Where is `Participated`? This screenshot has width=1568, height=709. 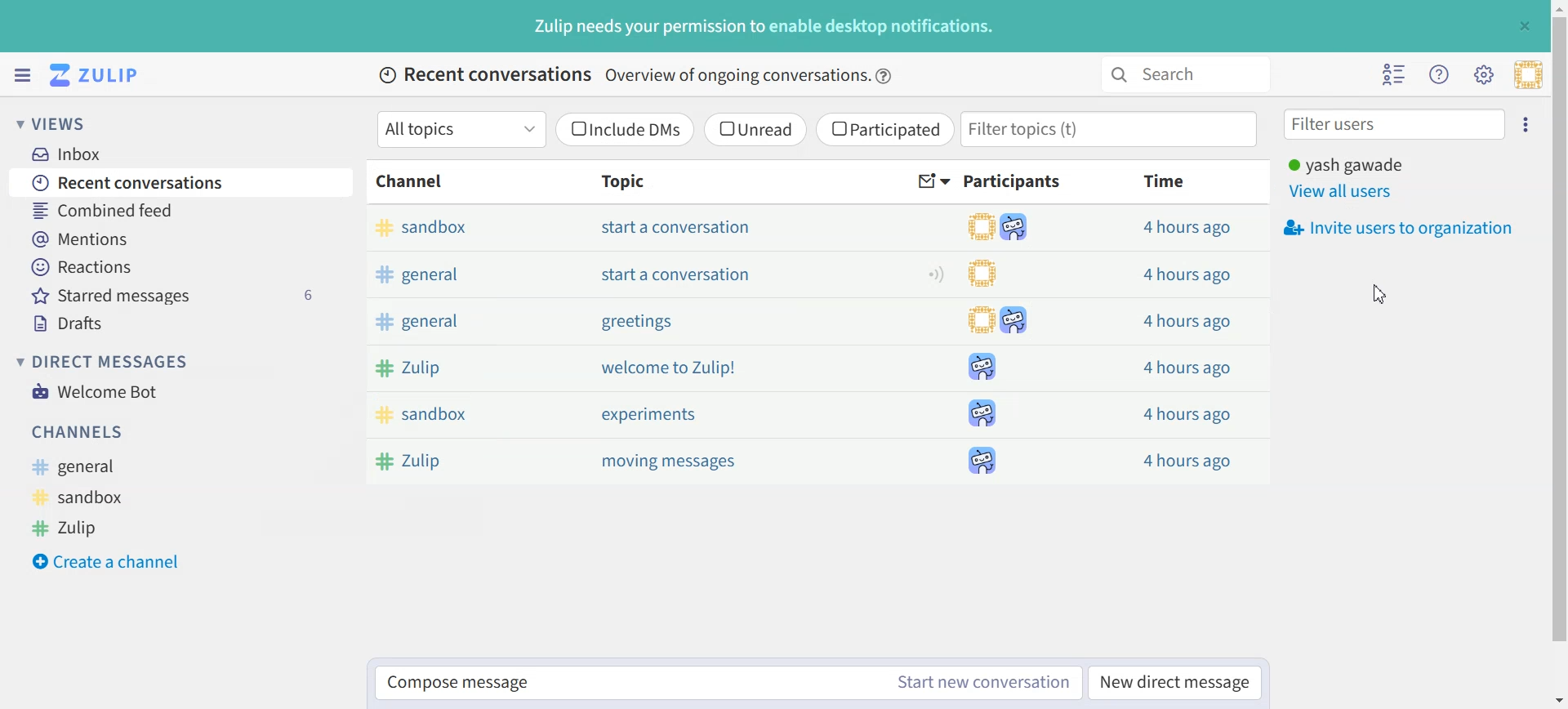 Participated is located at coordinates (884, 130).